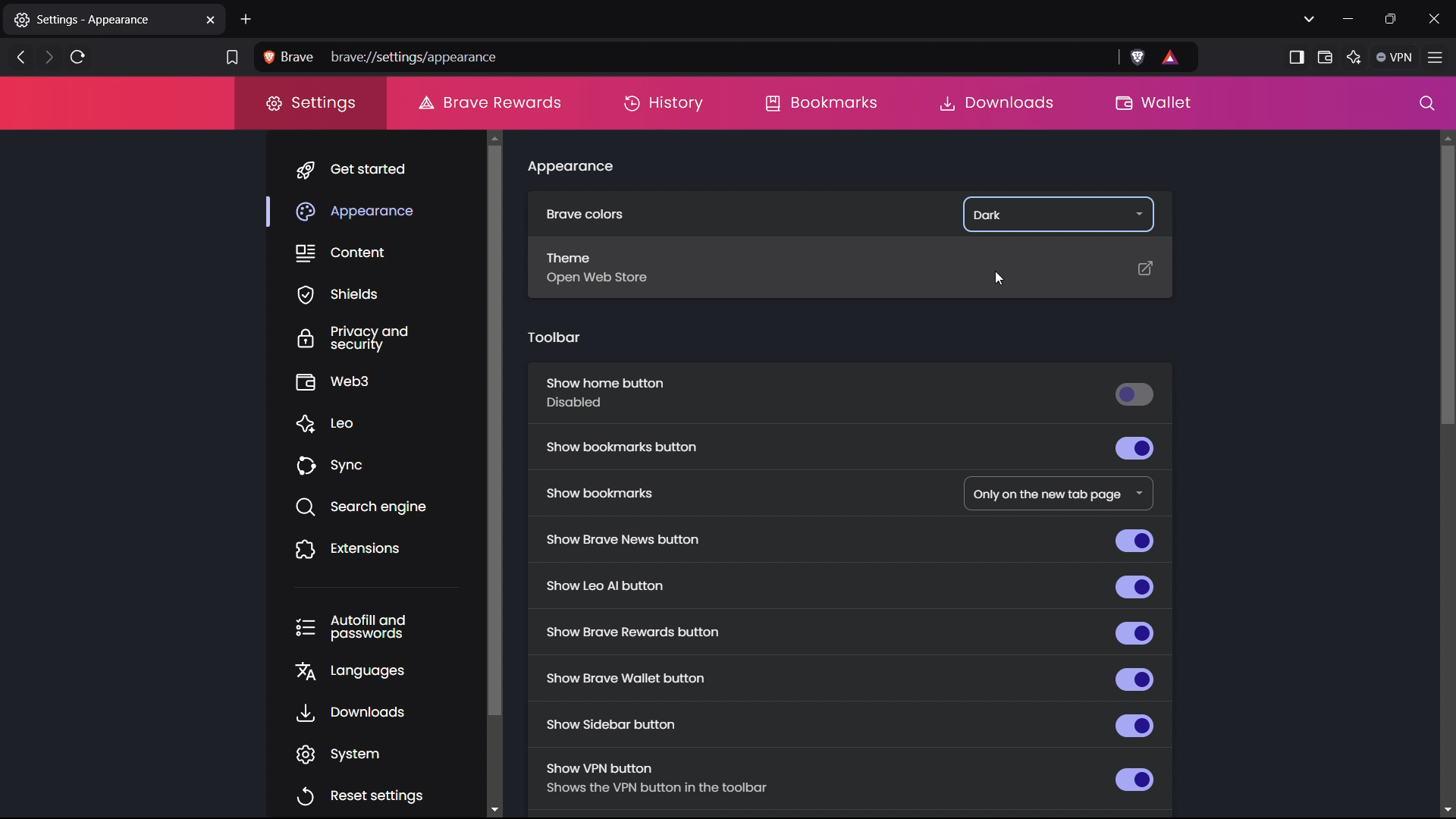 The width and height of the screenshot is (1456, 819). Describe the element at coordinates (849, 586) in the screenshot. I see `show leo AI button` at that location.